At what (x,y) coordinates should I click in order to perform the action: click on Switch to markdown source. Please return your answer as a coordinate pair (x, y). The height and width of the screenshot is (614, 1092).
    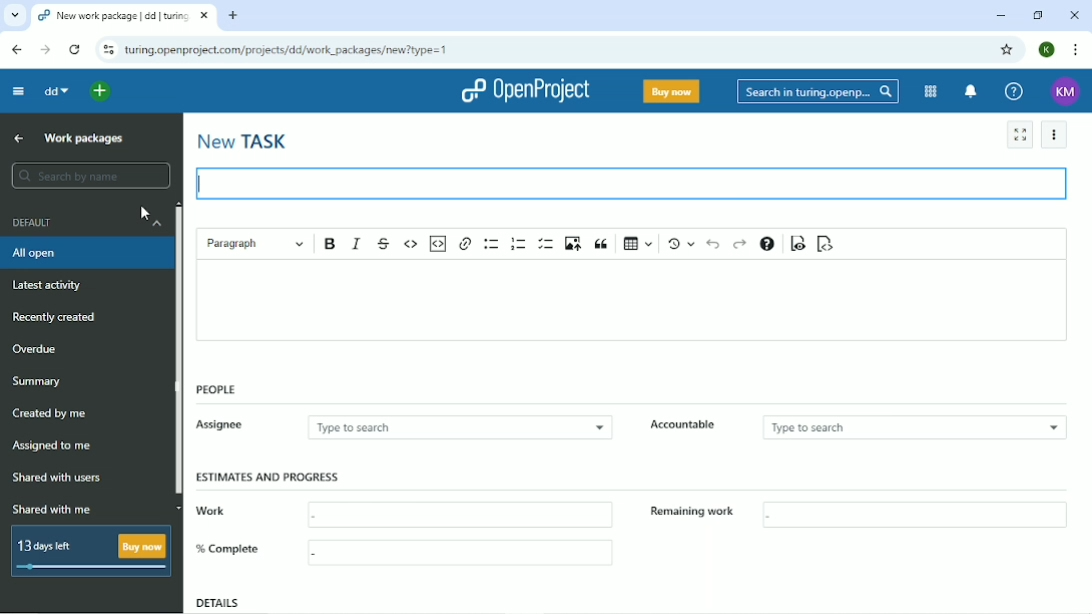
    Looking at the image, I should click on (825, 244).